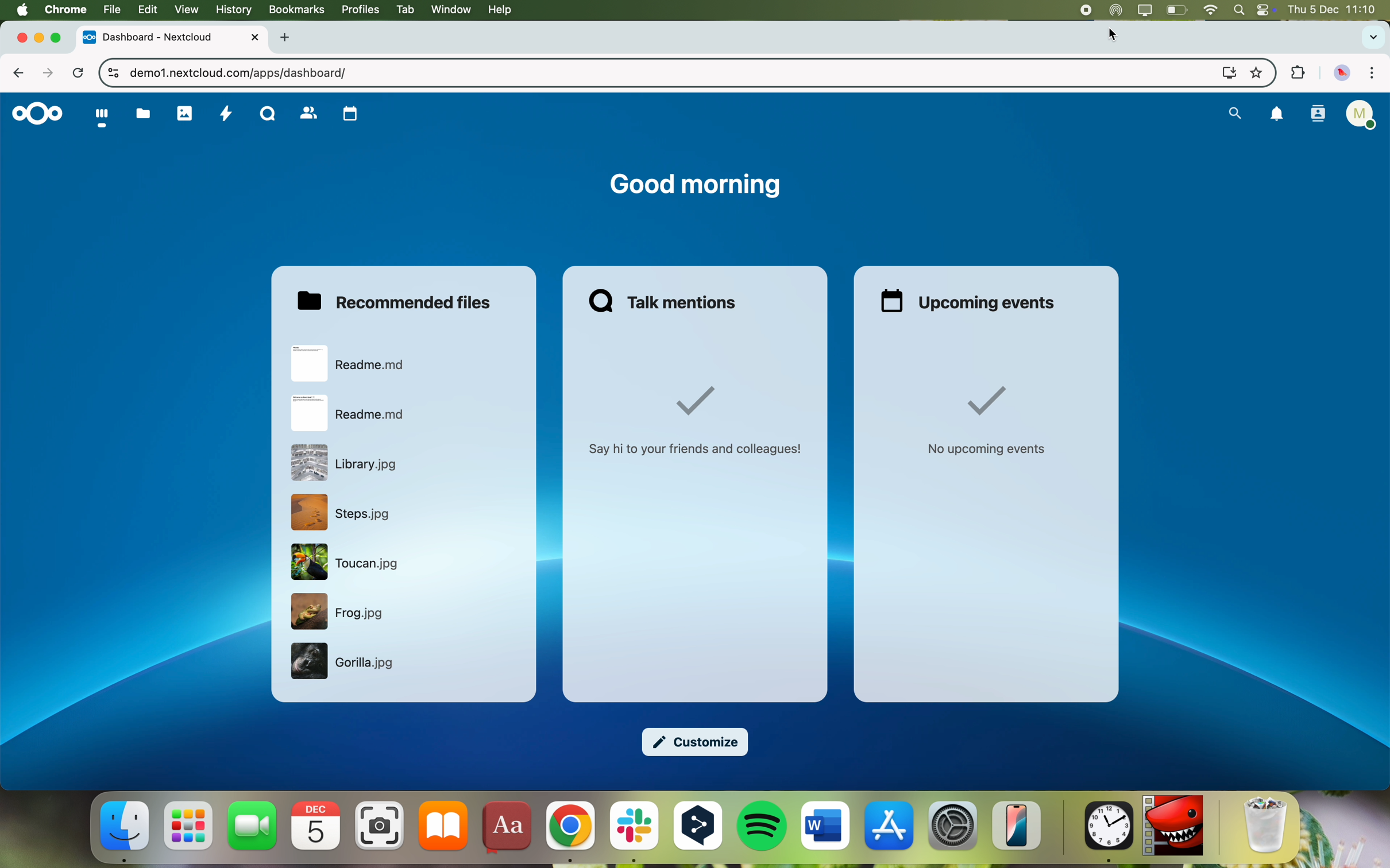 The width and height of the screenshot is (1390, 868). I want to click on calendar, so click(318, 826).